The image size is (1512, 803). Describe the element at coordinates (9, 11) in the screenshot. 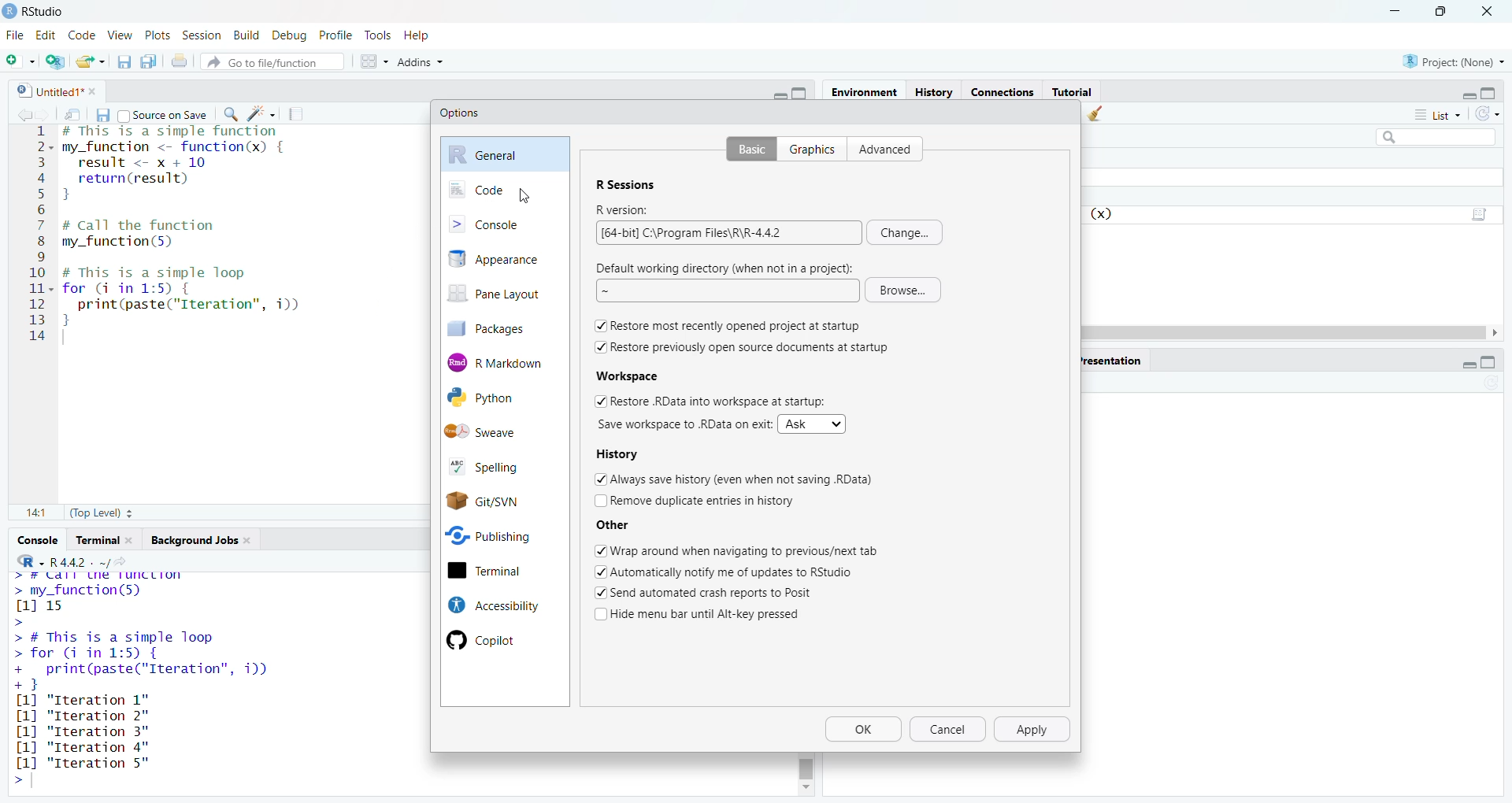

I see `logo` at that location.